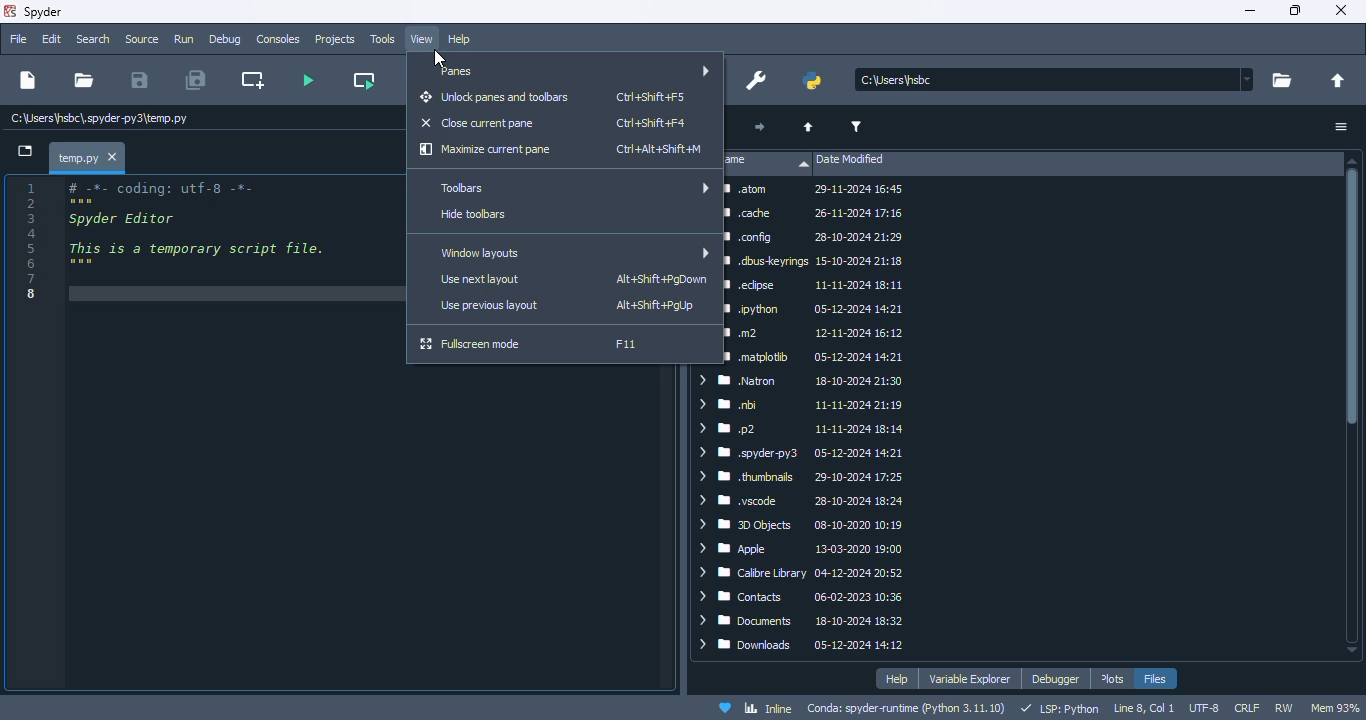 Image resolution: width=1366 pixels, height=720 pixels. I want to click on name, so click(768, 163).